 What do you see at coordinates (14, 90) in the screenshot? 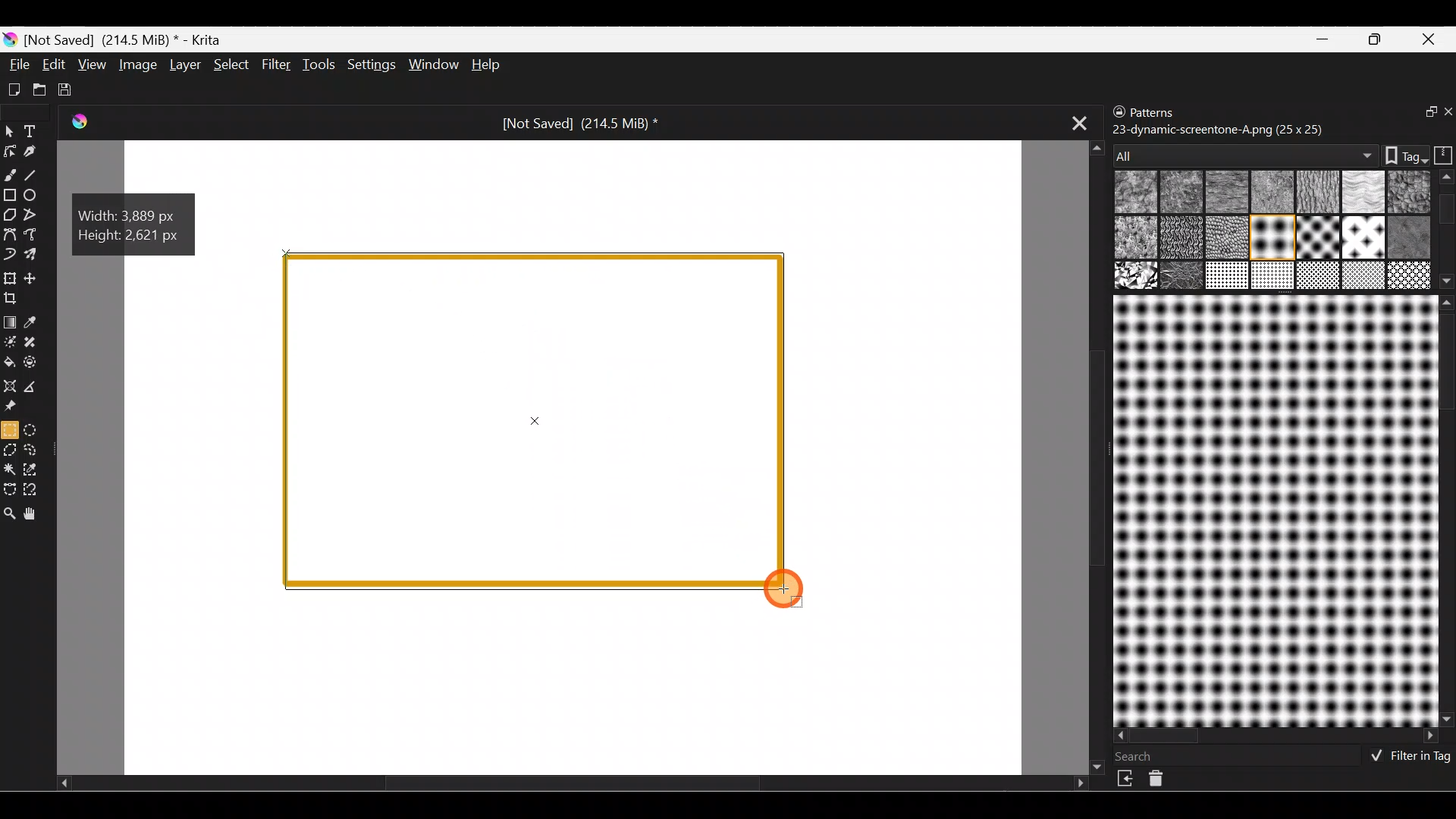
I see `Create new document` at bounding box center [14, 90].